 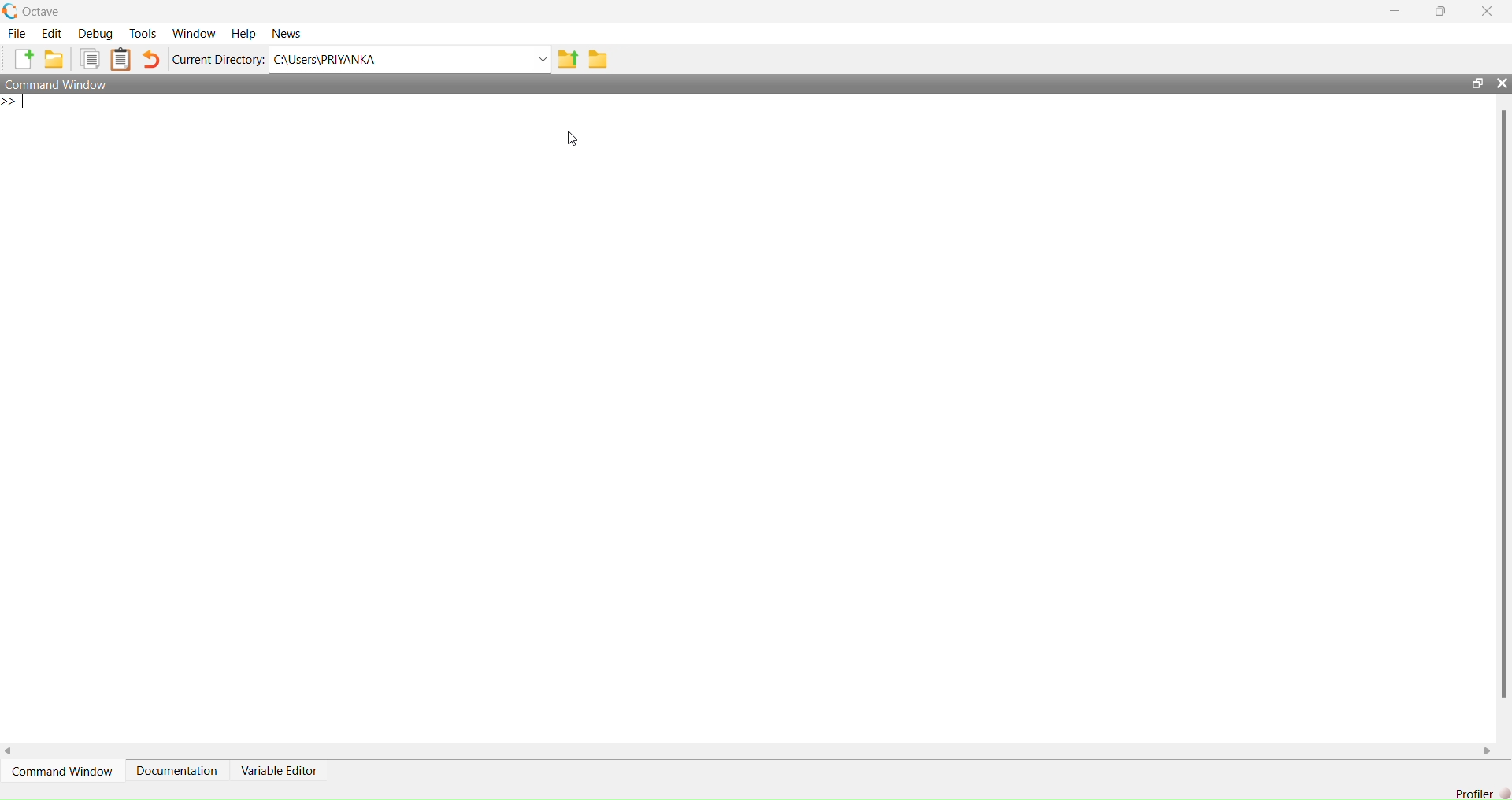 What do you see at coordinates (43, 12) in the screenshot?
I see `octave` at bounding box center [43, 12].